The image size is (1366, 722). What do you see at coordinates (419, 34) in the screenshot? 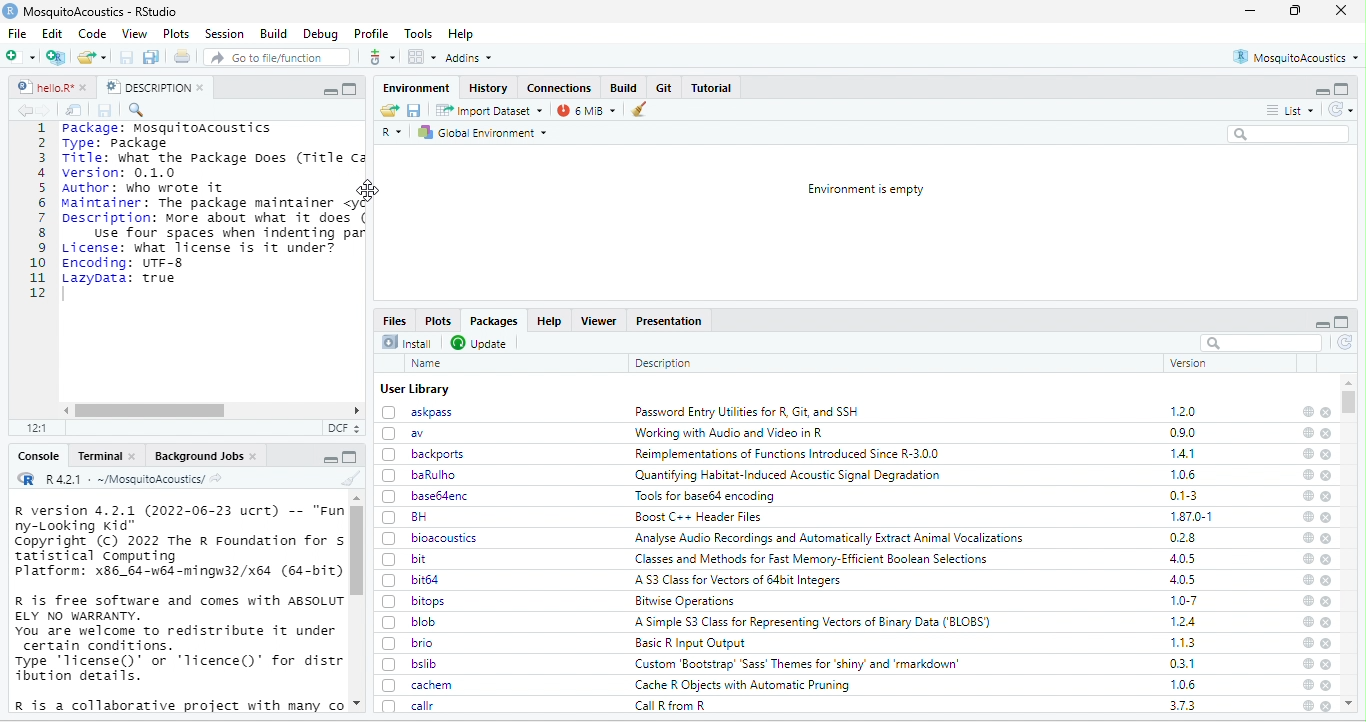
I see `Tools` at bounding box center [419, 34].